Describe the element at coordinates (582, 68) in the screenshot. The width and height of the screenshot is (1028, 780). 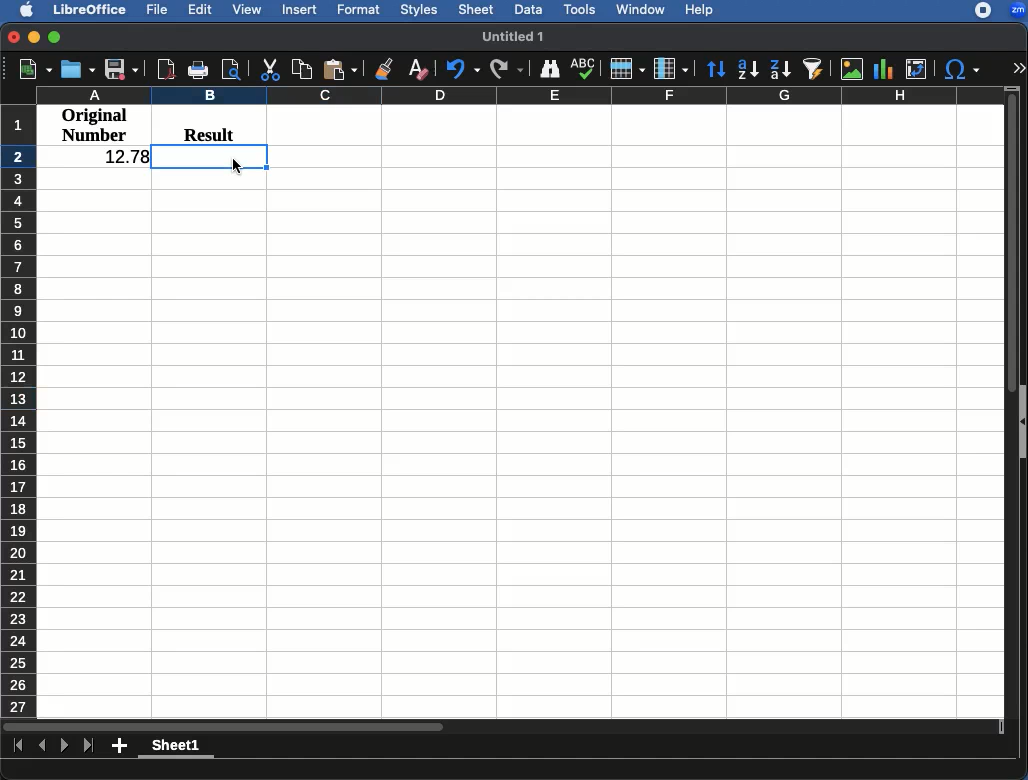
I see `Spellcheck` at that location.